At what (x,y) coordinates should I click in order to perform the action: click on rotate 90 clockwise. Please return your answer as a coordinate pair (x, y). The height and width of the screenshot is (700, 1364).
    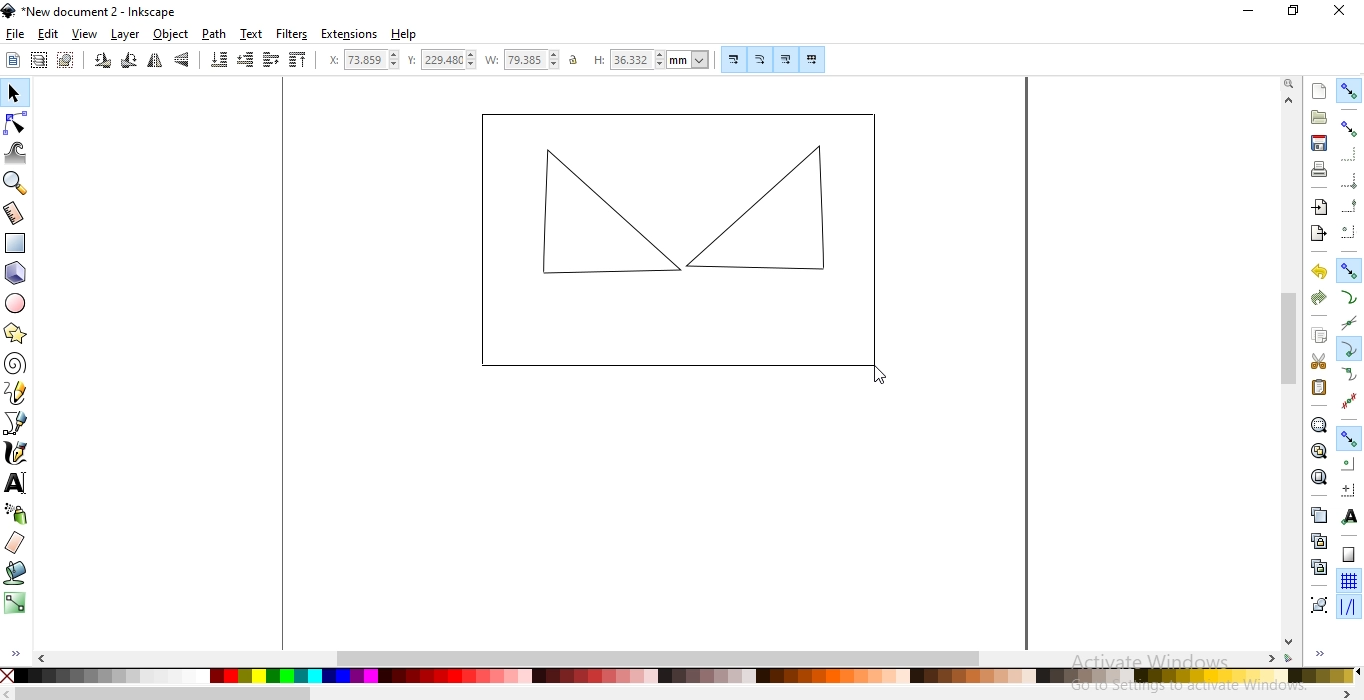
    Looking at the image, I should click on (130, 61).